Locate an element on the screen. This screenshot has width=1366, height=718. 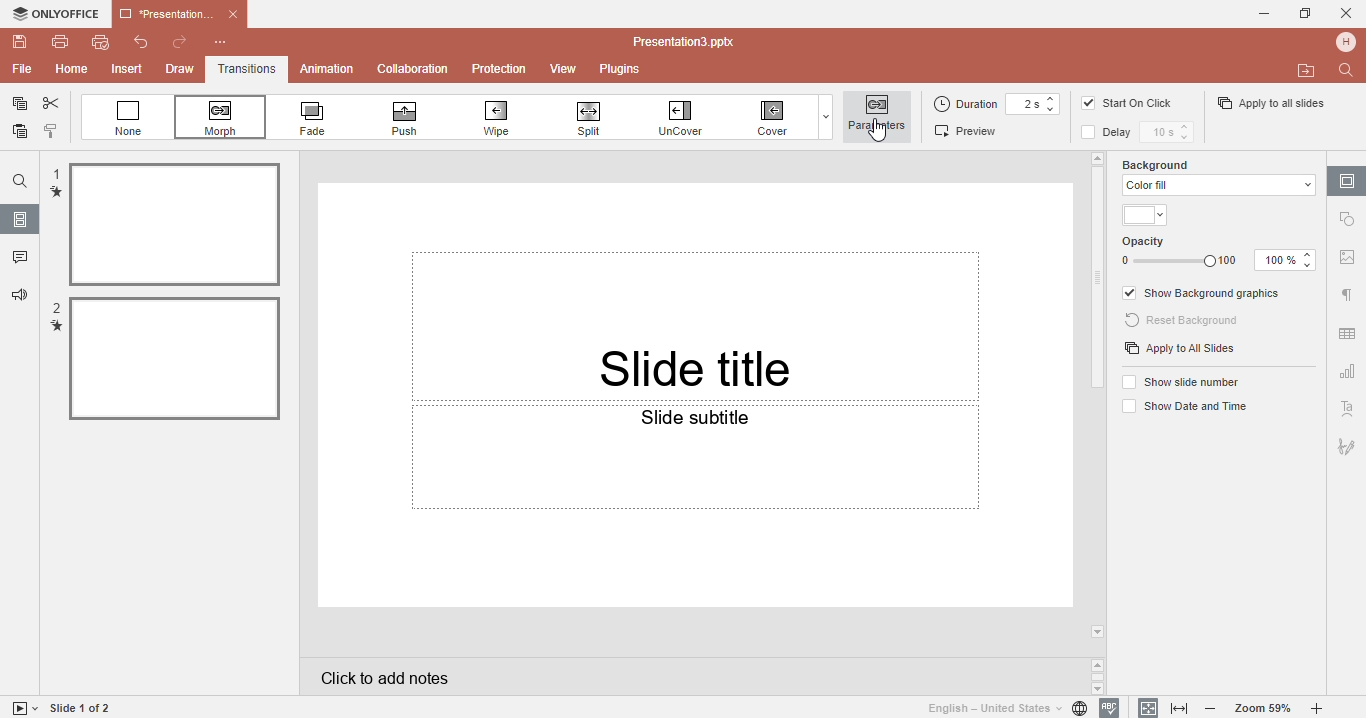
Home is located at coordinates (71, 69).